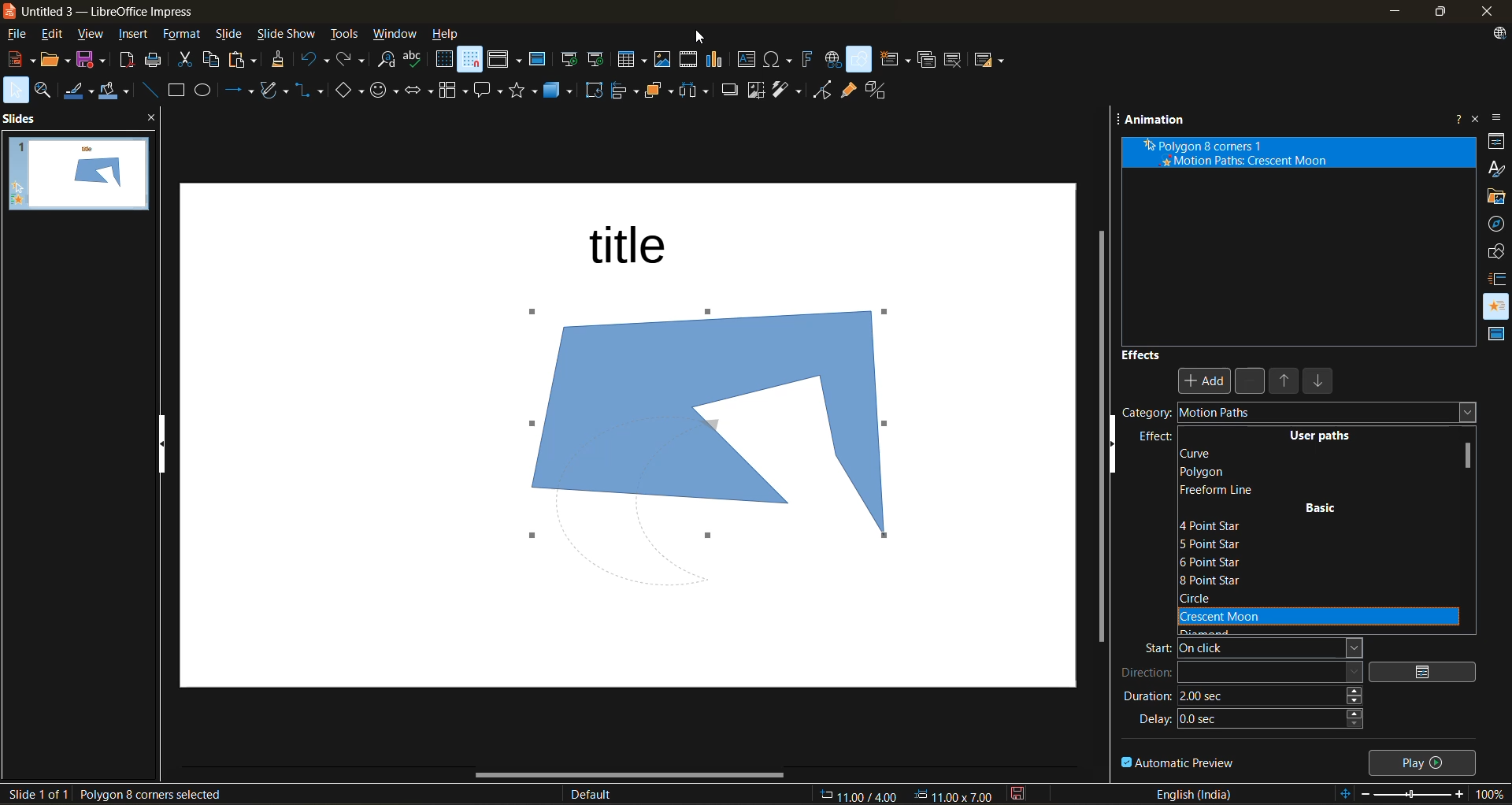 This screenshot has width=1512, height=805. I want to click on close sidebar deck, so click(1478, 117).